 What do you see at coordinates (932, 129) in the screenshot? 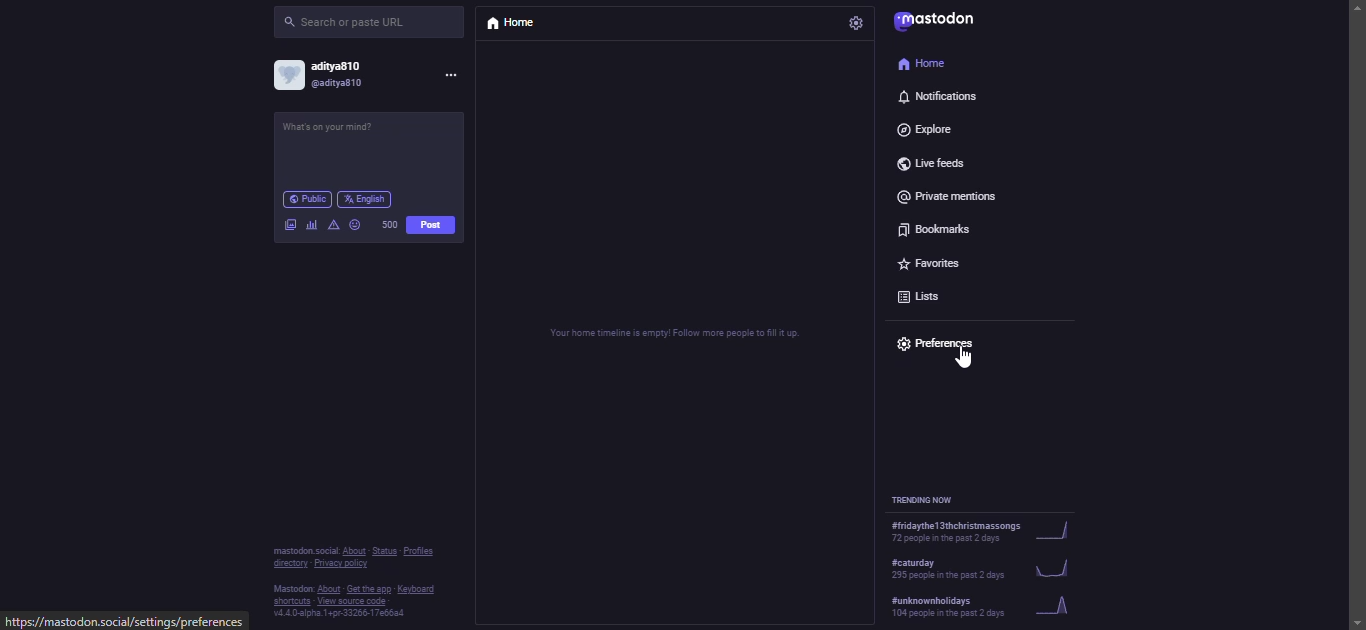
I see `explore` at bounding box center [932, 129].